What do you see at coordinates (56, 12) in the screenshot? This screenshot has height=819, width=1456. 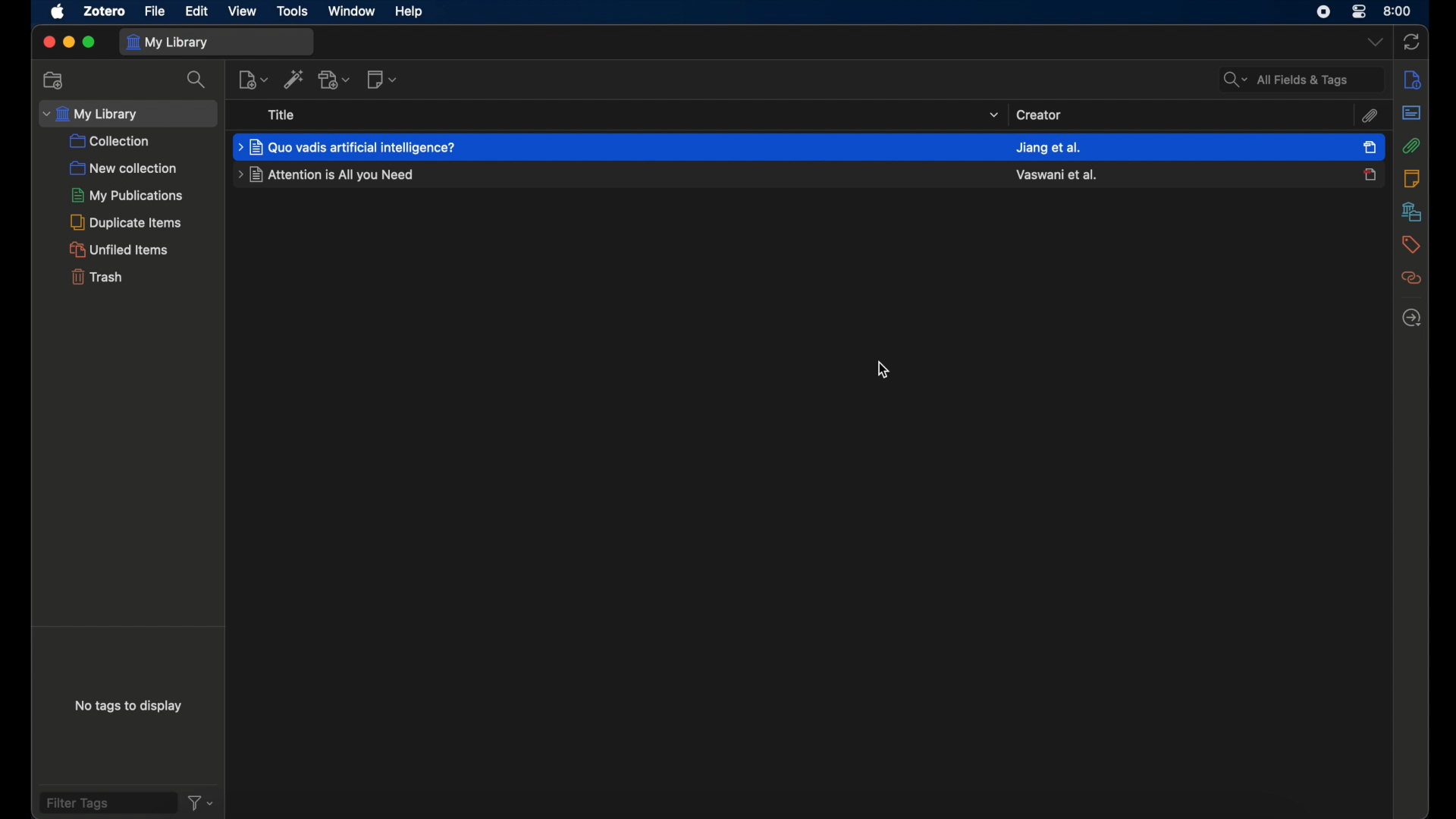 I see `apple icon` at bounding box center [56, 12].